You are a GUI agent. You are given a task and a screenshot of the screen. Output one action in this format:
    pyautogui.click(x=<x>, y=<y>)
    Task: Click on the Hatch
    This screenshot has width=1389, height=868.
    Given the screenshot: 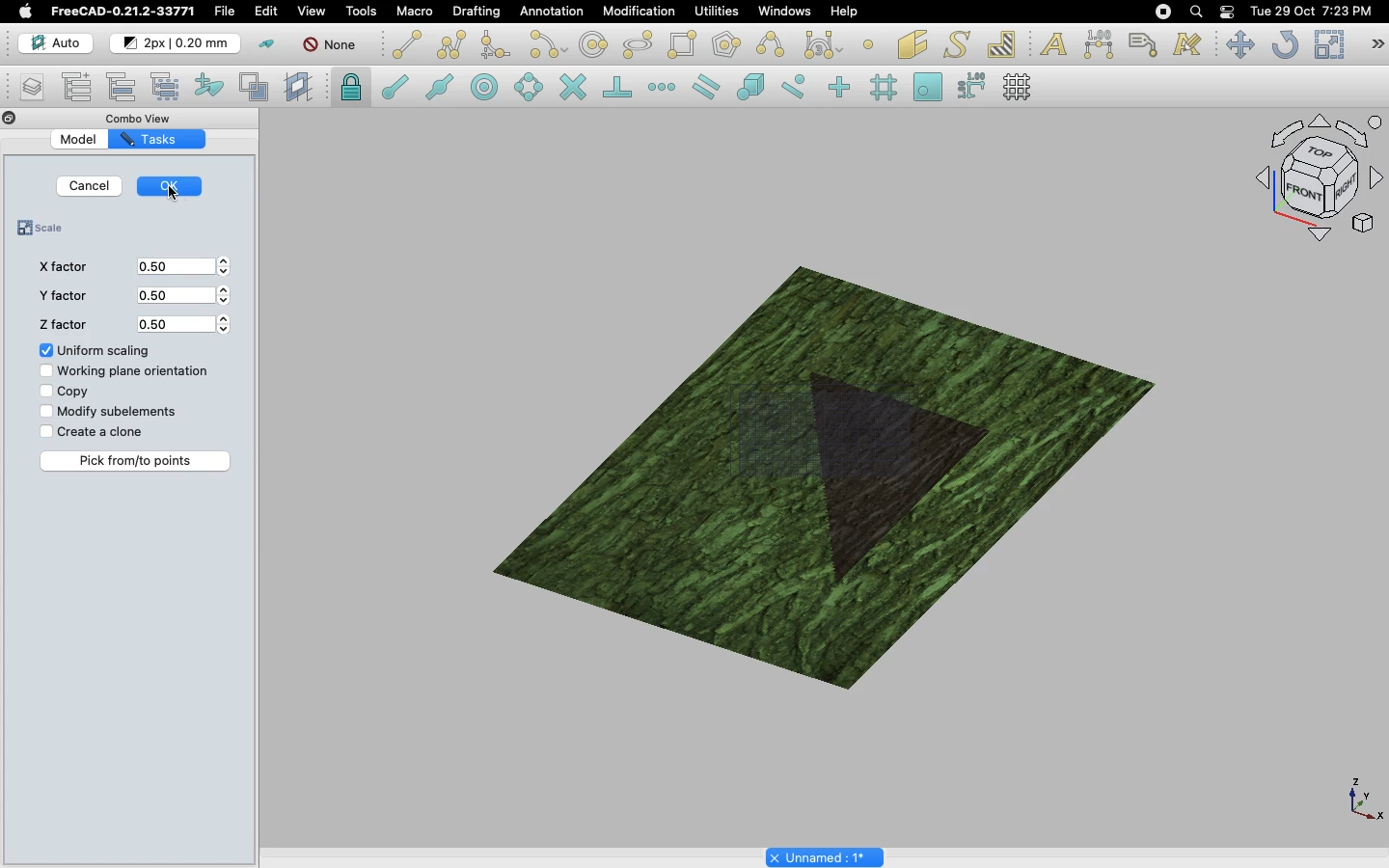 What is the action you would take?
    pyautogui.click(x=1003, y=42)
    